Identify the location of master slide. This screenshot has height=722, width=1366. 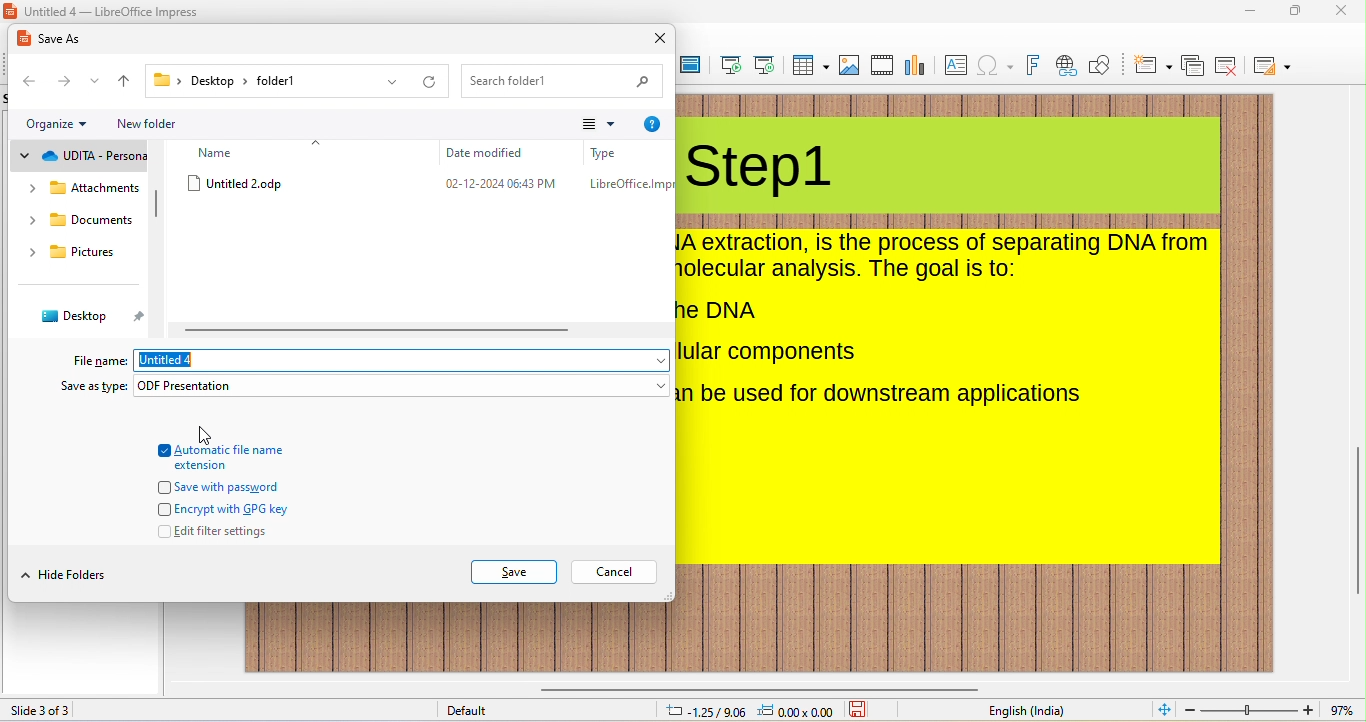
(691, 66).